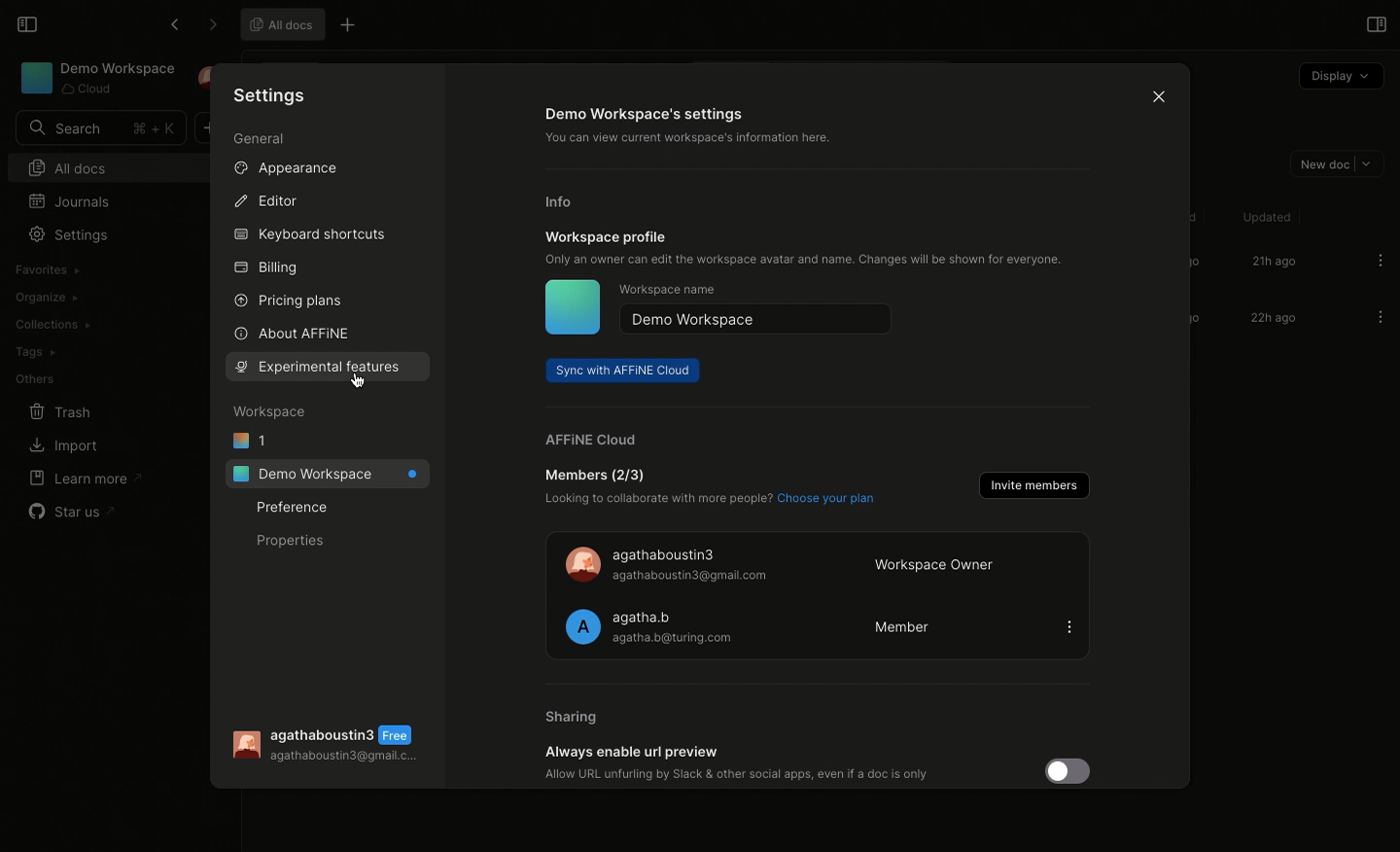 The height and width of the screenshot is (852, 1400). I want to click on Preference, so click(295, 507).